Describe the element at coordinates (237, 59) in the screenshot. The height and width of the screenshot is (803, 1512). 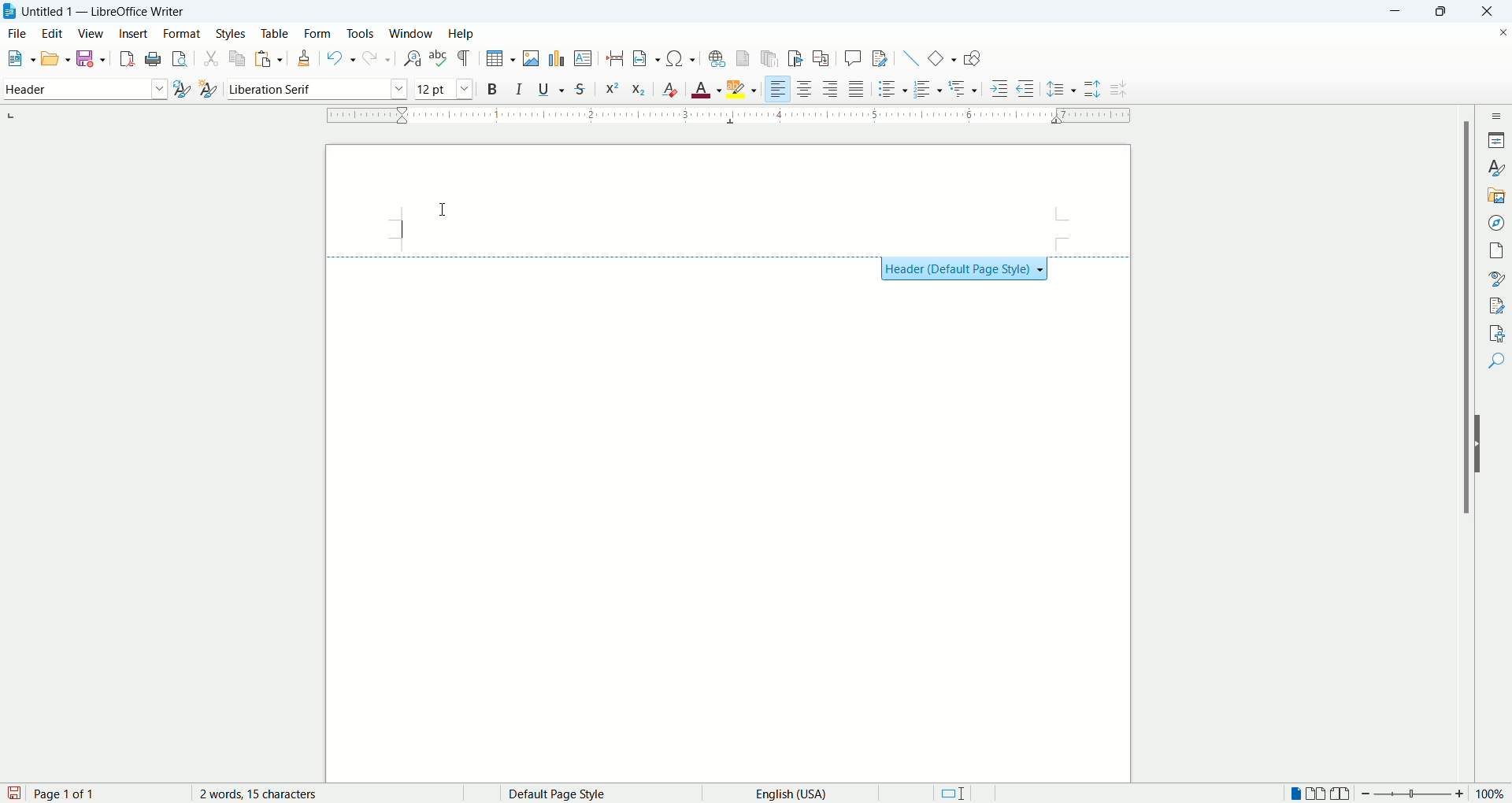
I see `copy` at that location.